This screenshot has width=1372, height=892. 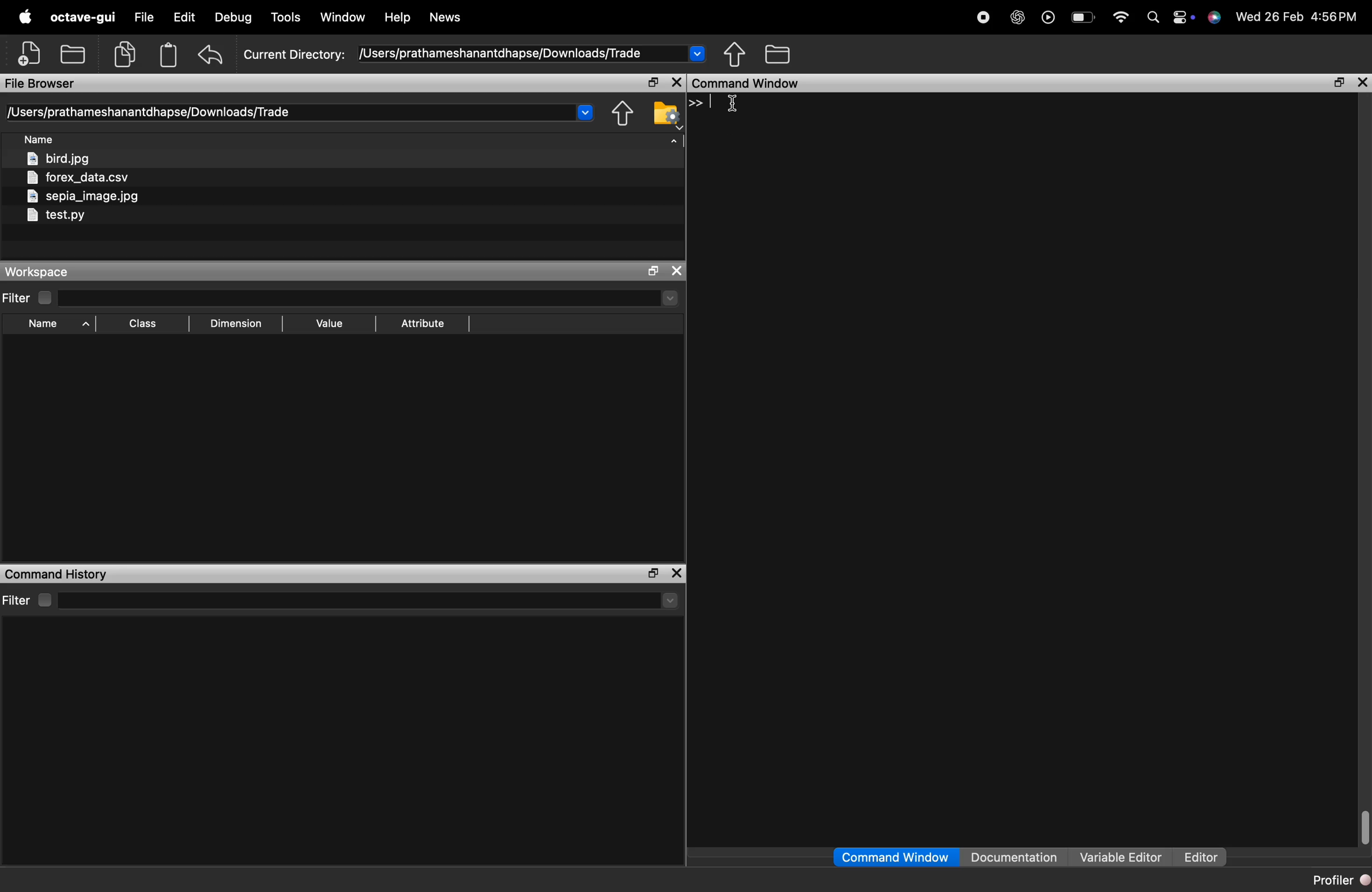 I want to click on Variable Editor, so click(x=1120, y=857).